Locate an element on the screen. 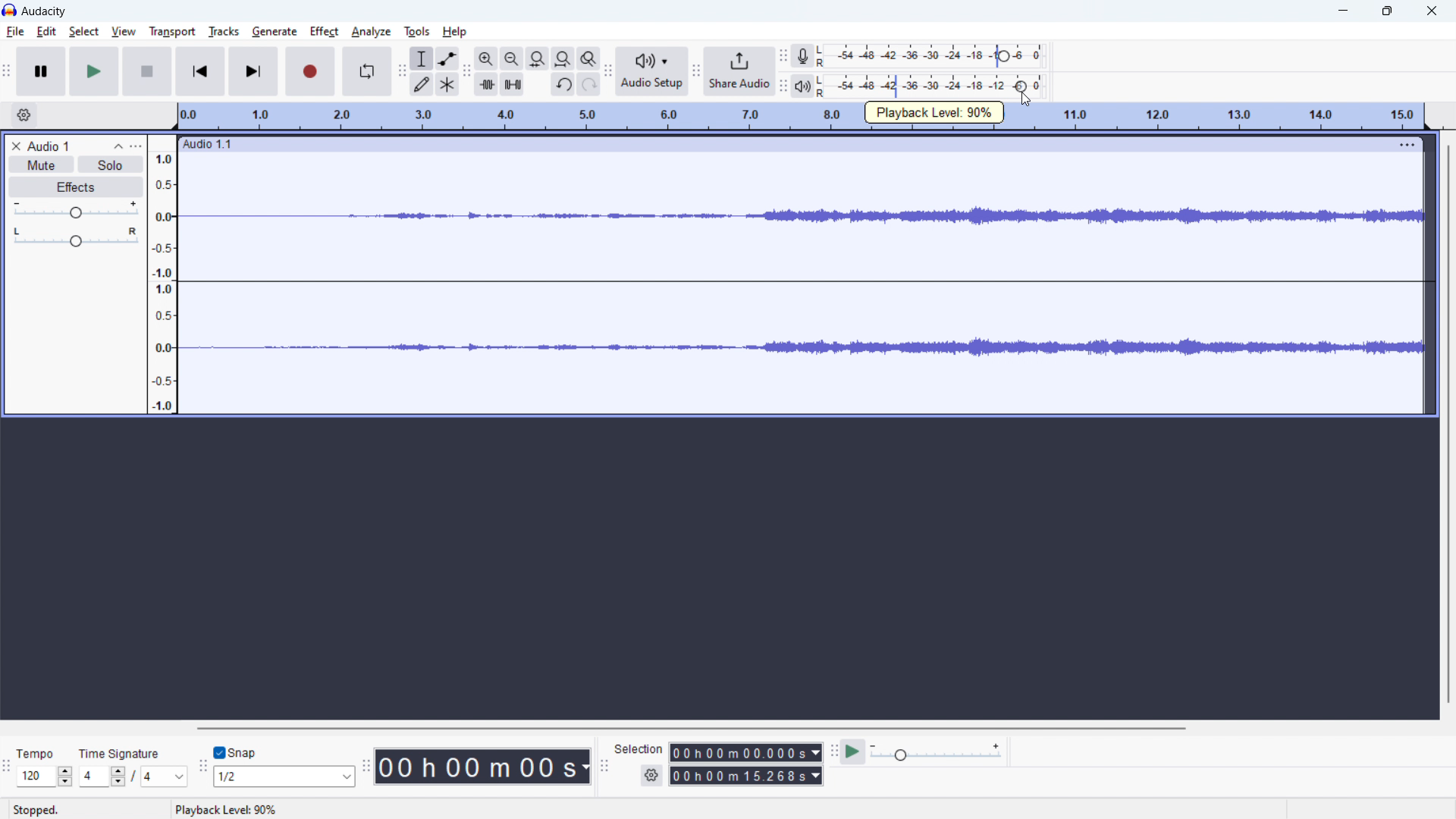  waveform is located at coordinates (802, 217).